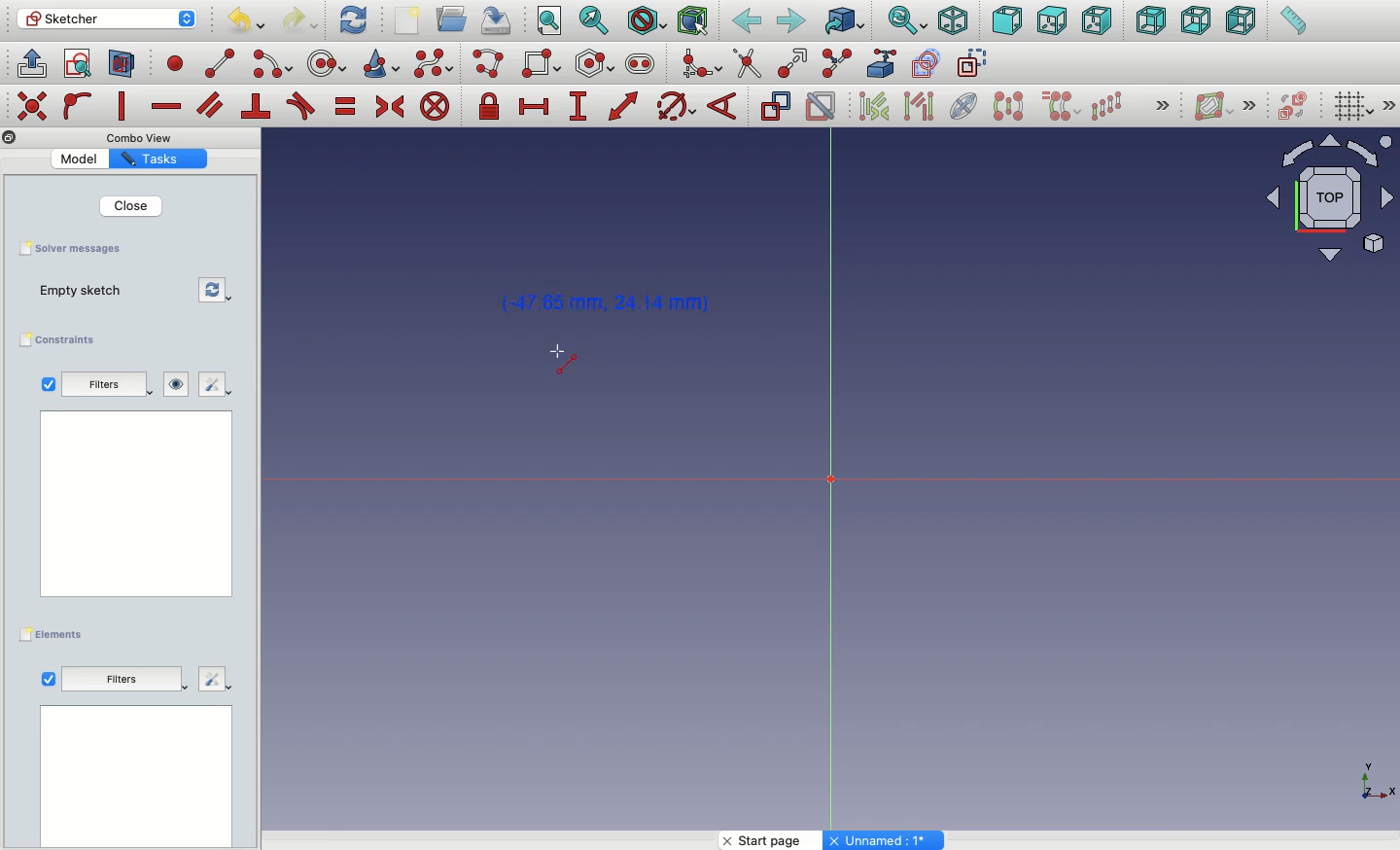 Image resolution: width=1400 pixels, height=850 pixels. What do you see at coordinates (79, 159) in the screenshot?
I see `Value` at bounding box center [79, 159].